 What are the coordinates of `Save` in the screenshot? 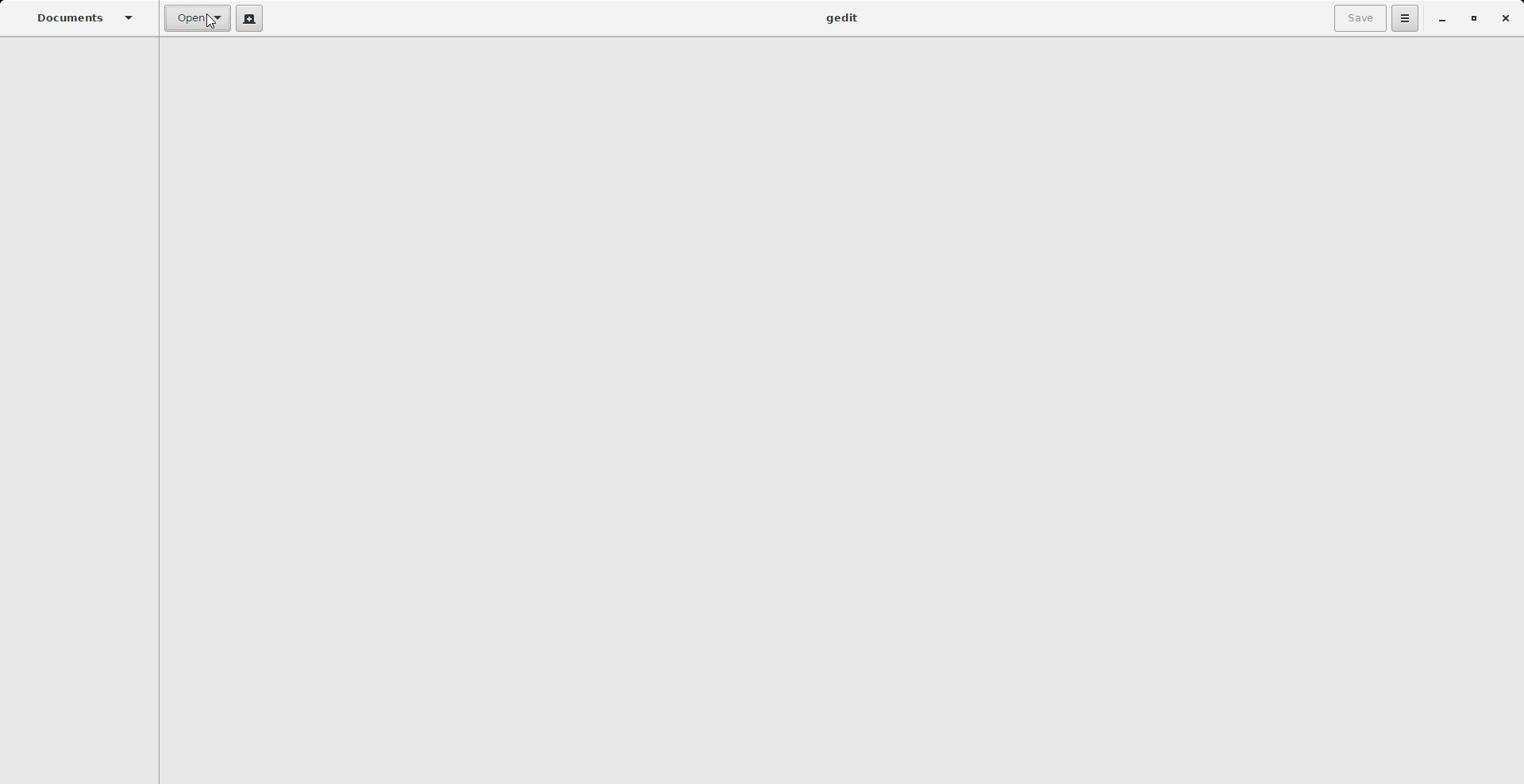 It's located at (1360, 19).